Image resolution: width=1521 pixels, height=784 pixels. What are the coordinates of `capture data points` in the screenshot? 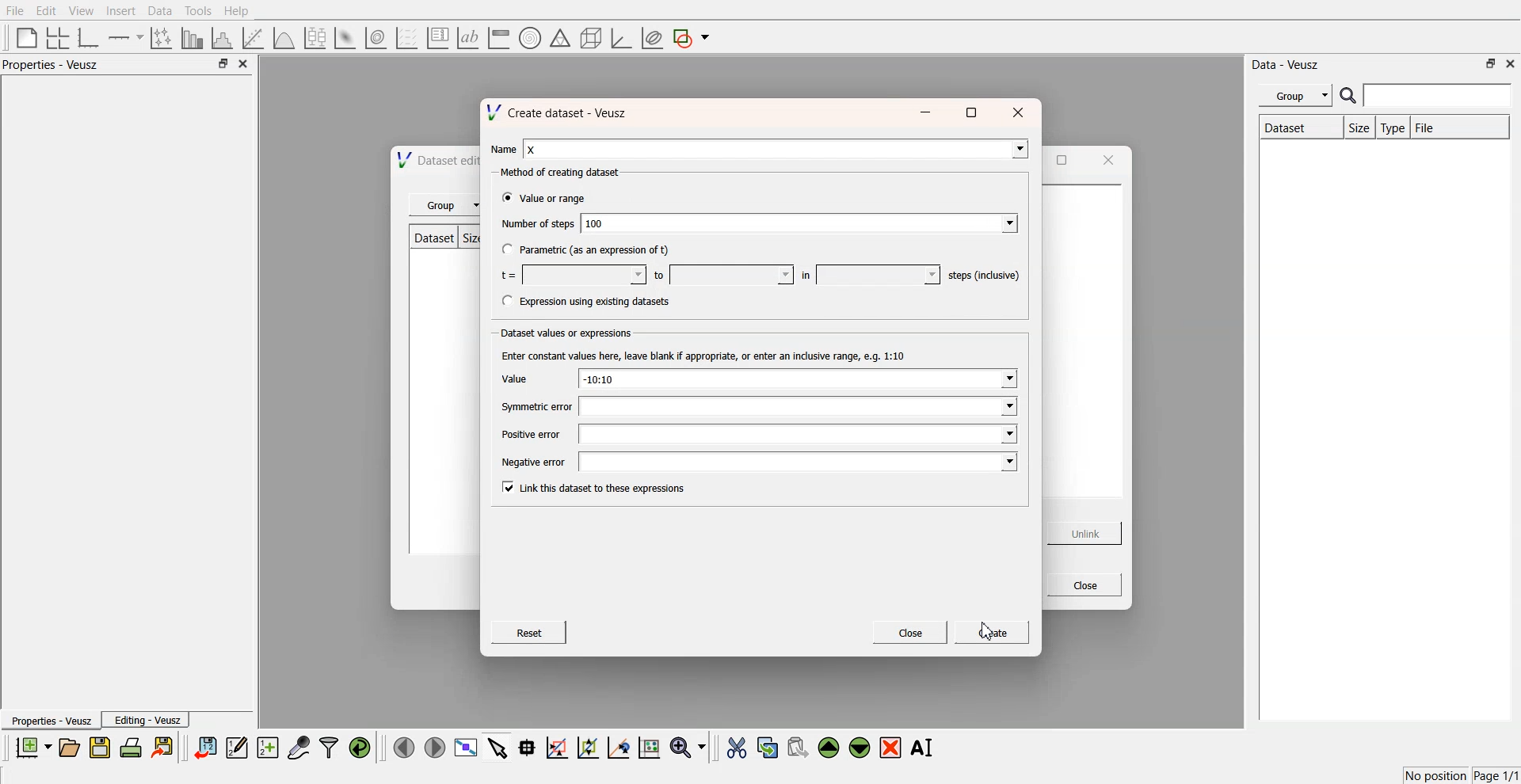 It's located at (299, 748).